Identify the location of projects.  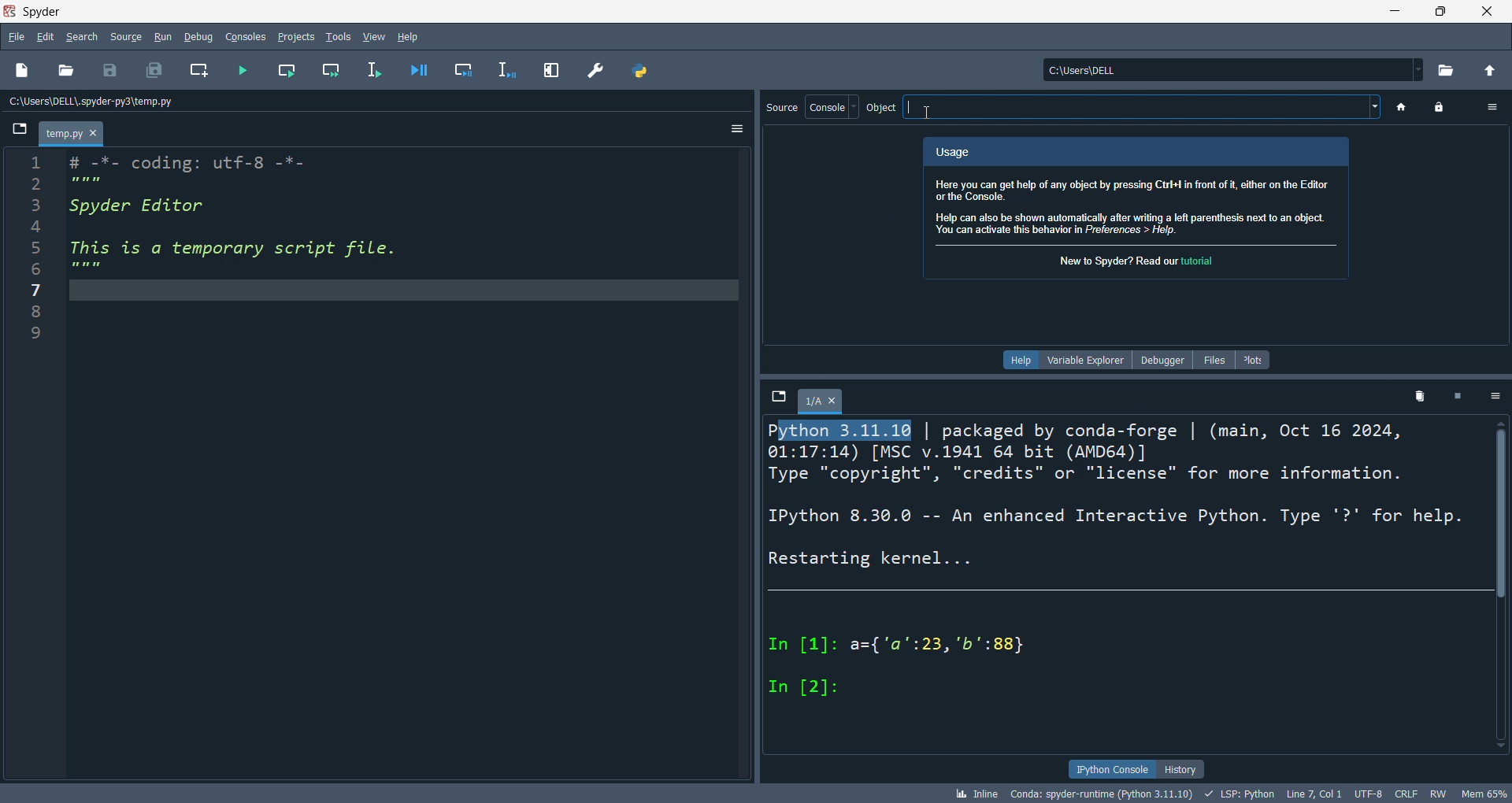
(291, 33).